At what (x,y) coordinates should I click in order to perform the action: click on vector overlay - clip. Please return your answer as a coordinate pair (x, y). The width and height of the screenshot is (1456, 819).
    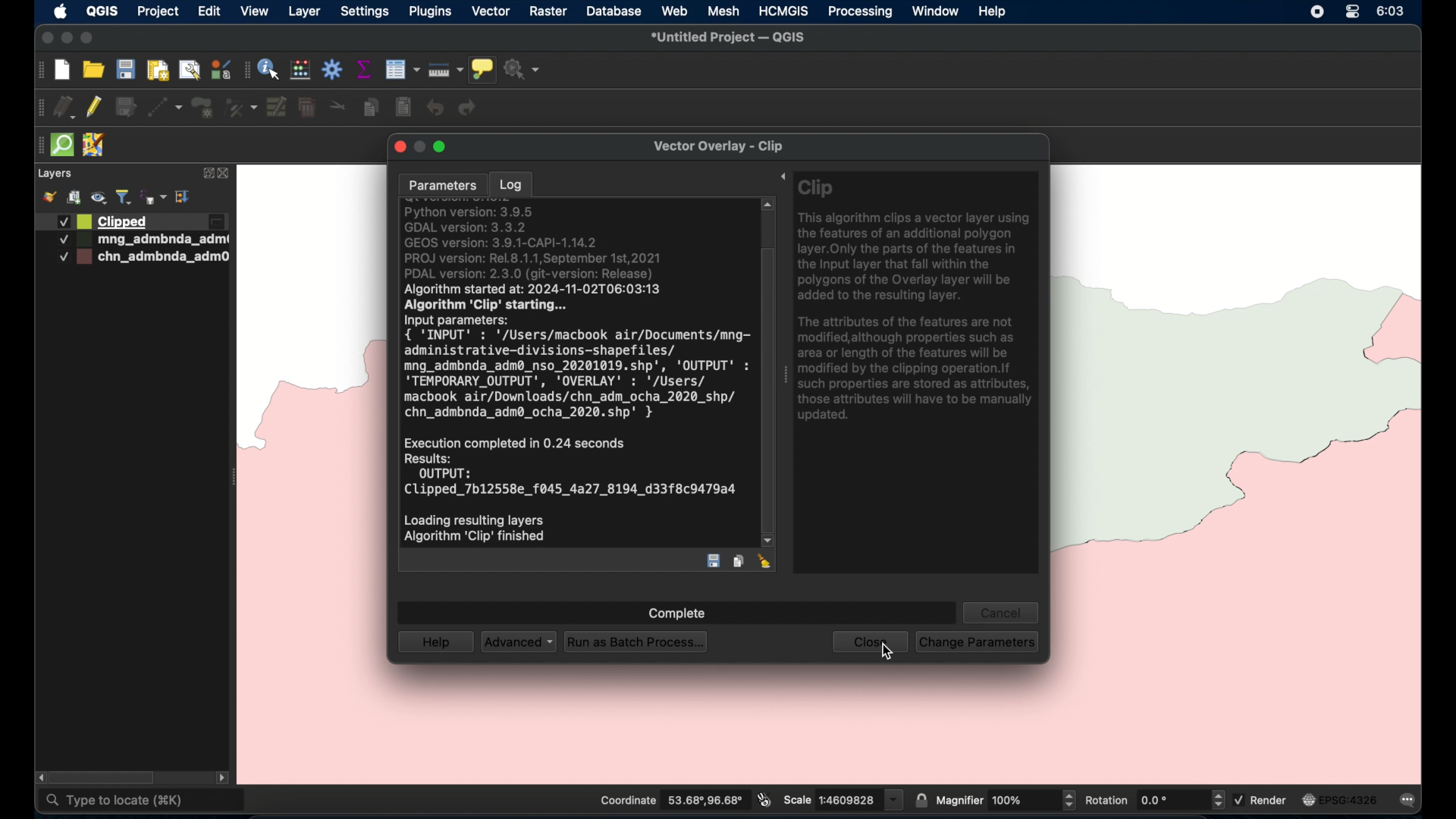
    Looking at the image, I should click on (717, 146).